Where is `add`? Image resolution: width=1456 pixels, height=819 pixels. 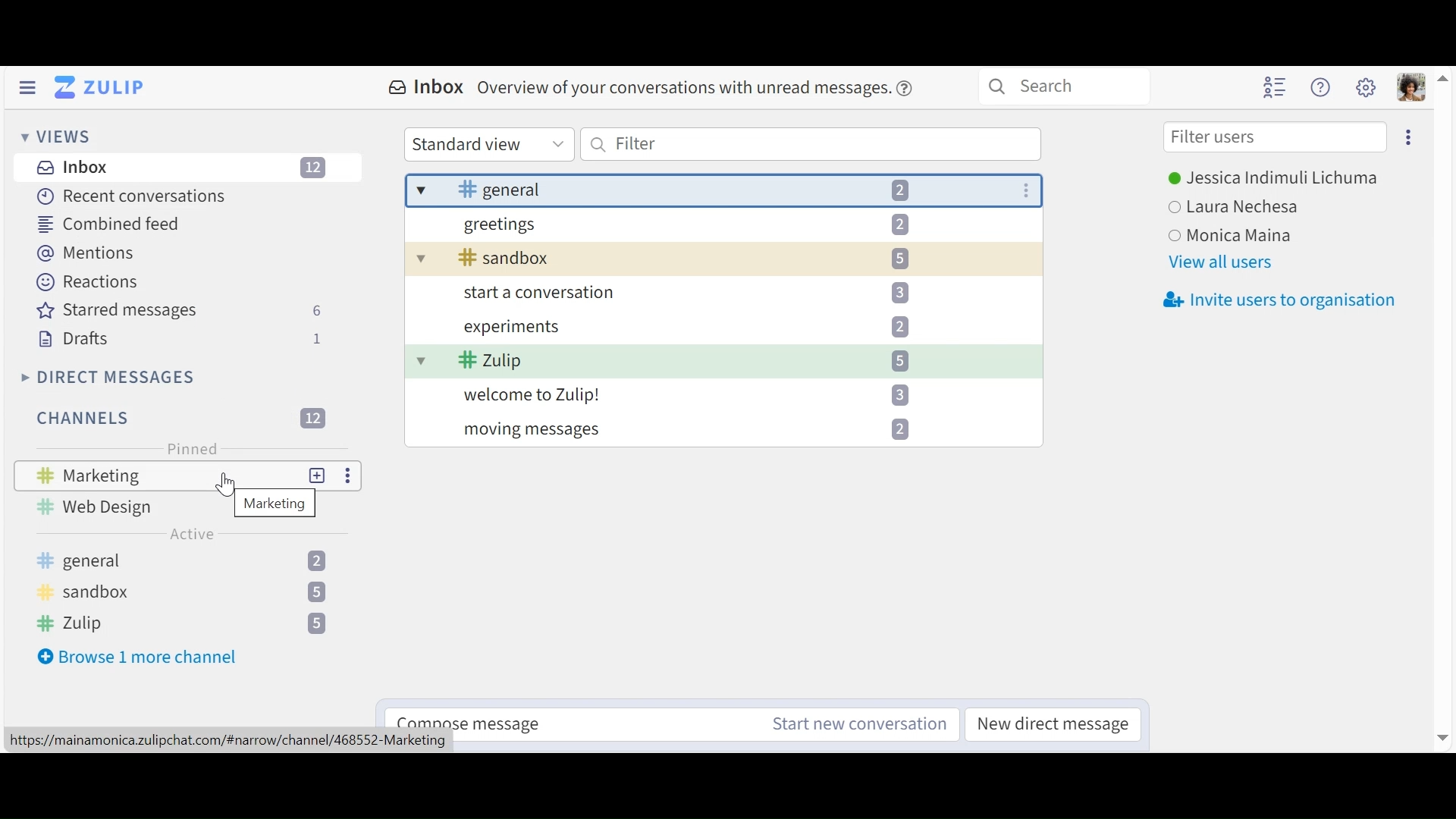
add is located at coordinates (316, 475).